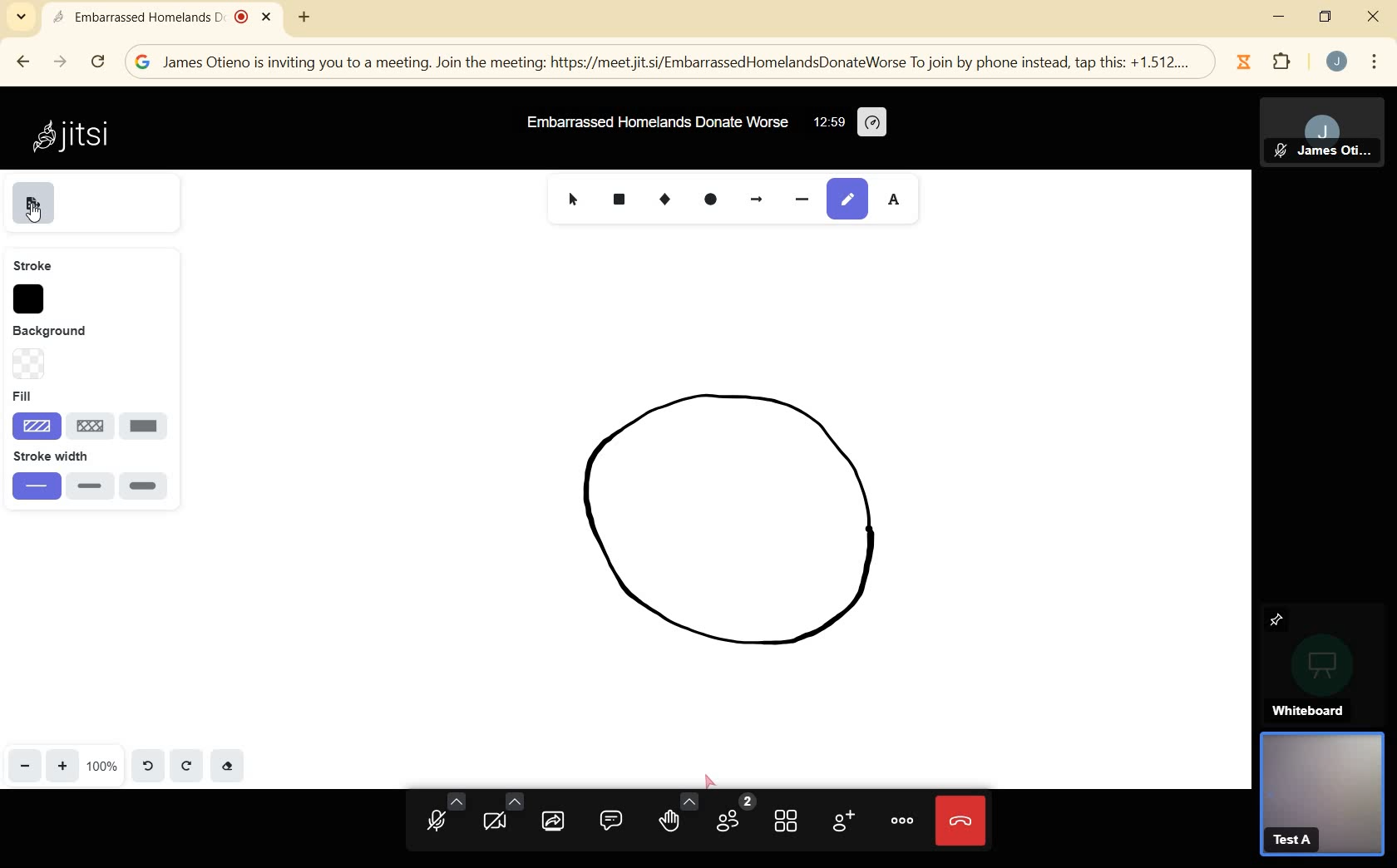 This screenshot has height=868, width=1397. Describe the element at coordinates (33, 300) in the screenshot. I see `stroke color` at that location.